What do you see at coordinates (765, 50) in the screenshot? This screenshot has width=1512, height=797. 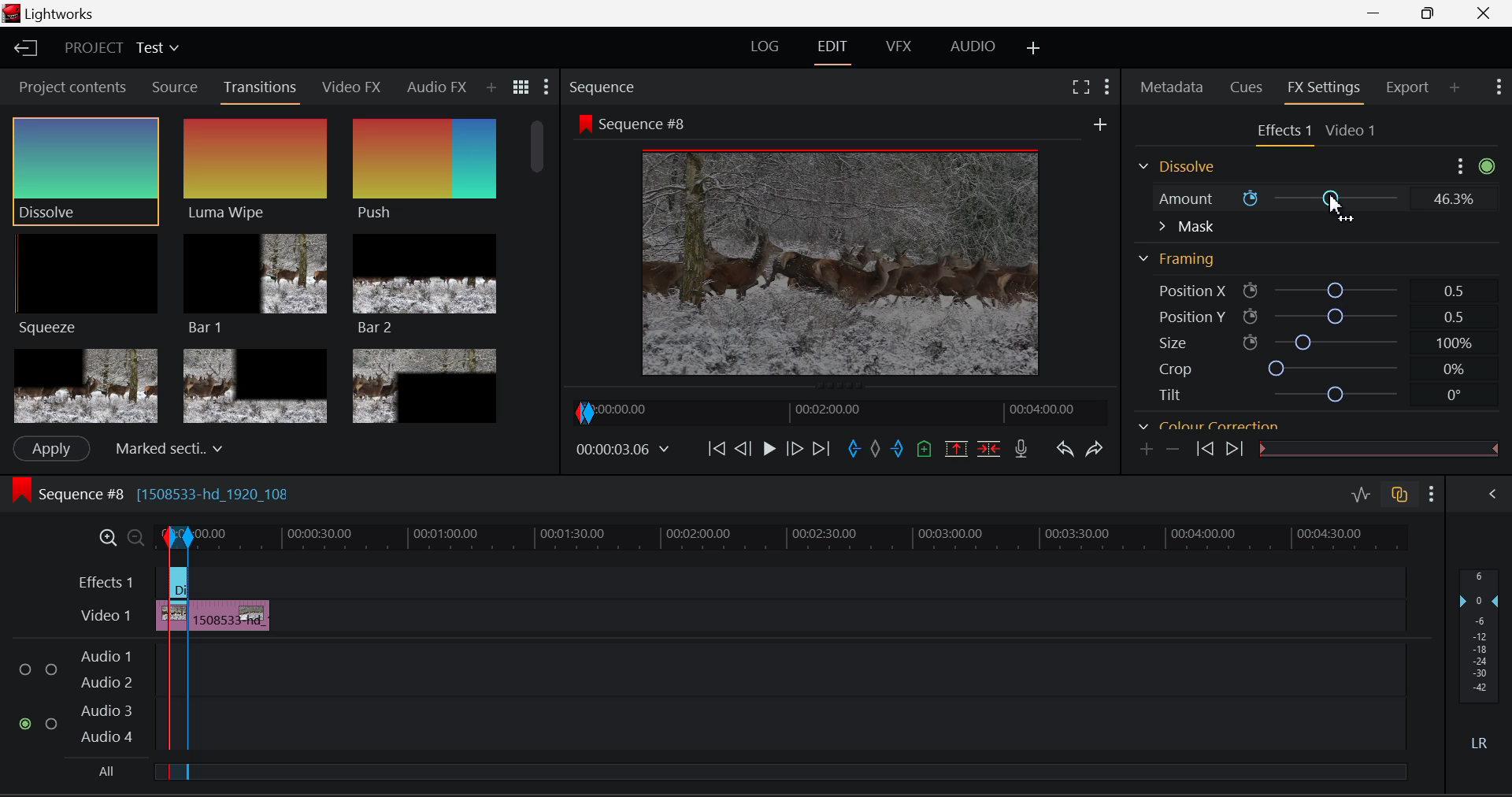 I see `LOG Layout` at bounding box center [765, 50].